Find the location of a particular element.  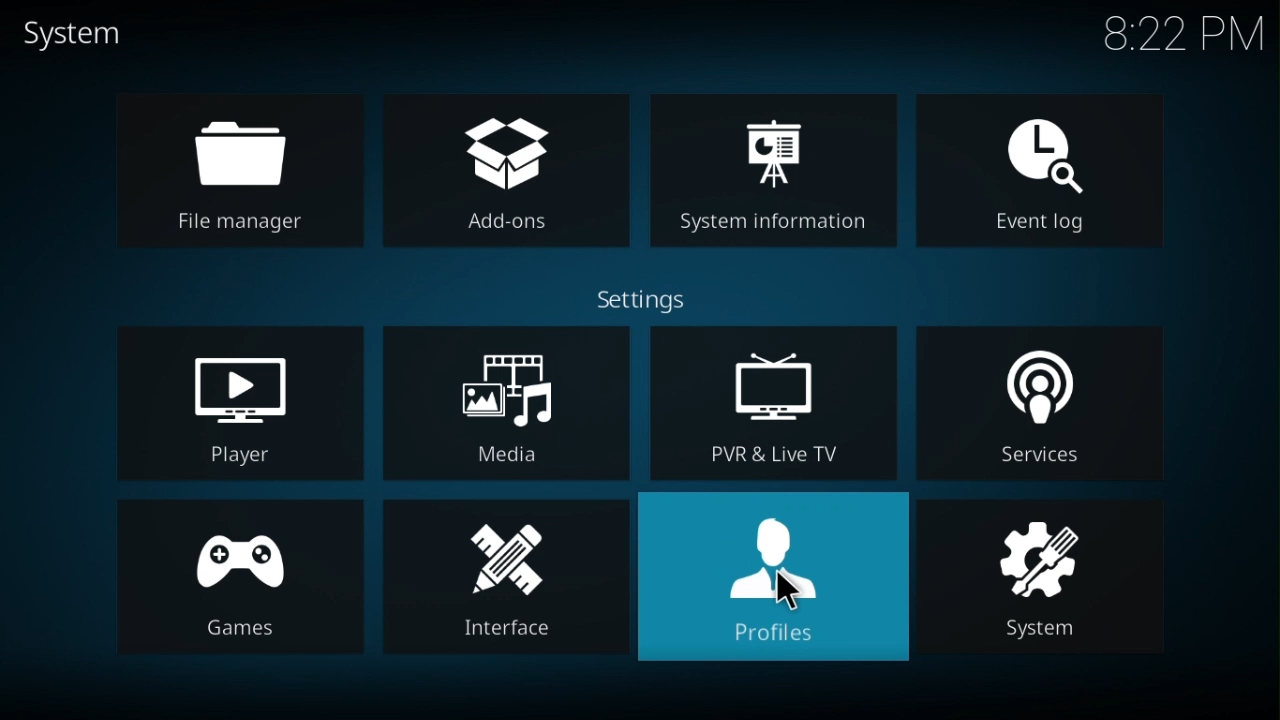

file manager is located at coordinates (233, 170).